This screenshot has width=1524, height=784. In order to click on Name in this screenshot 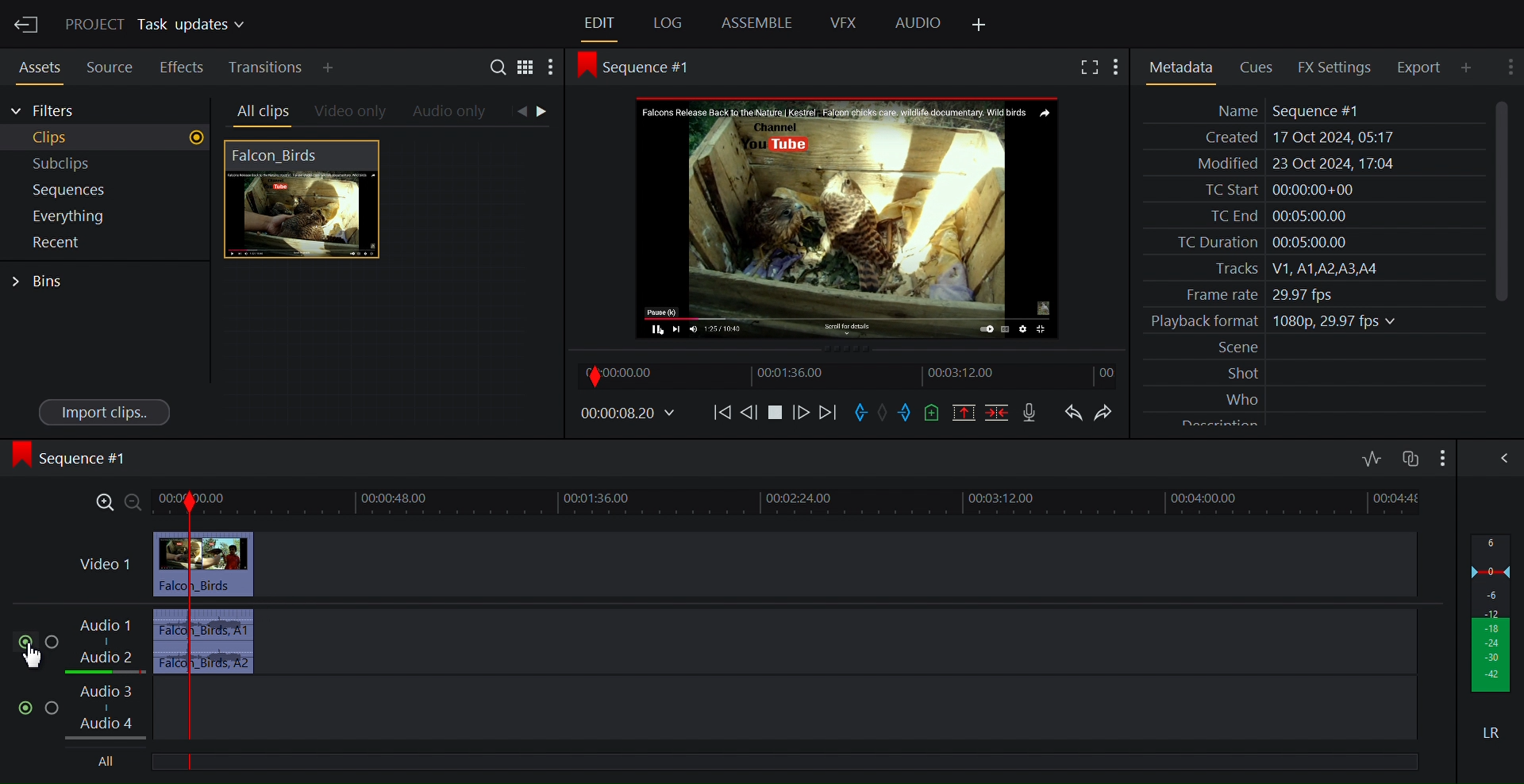, I will do `click(1312, 110)`.